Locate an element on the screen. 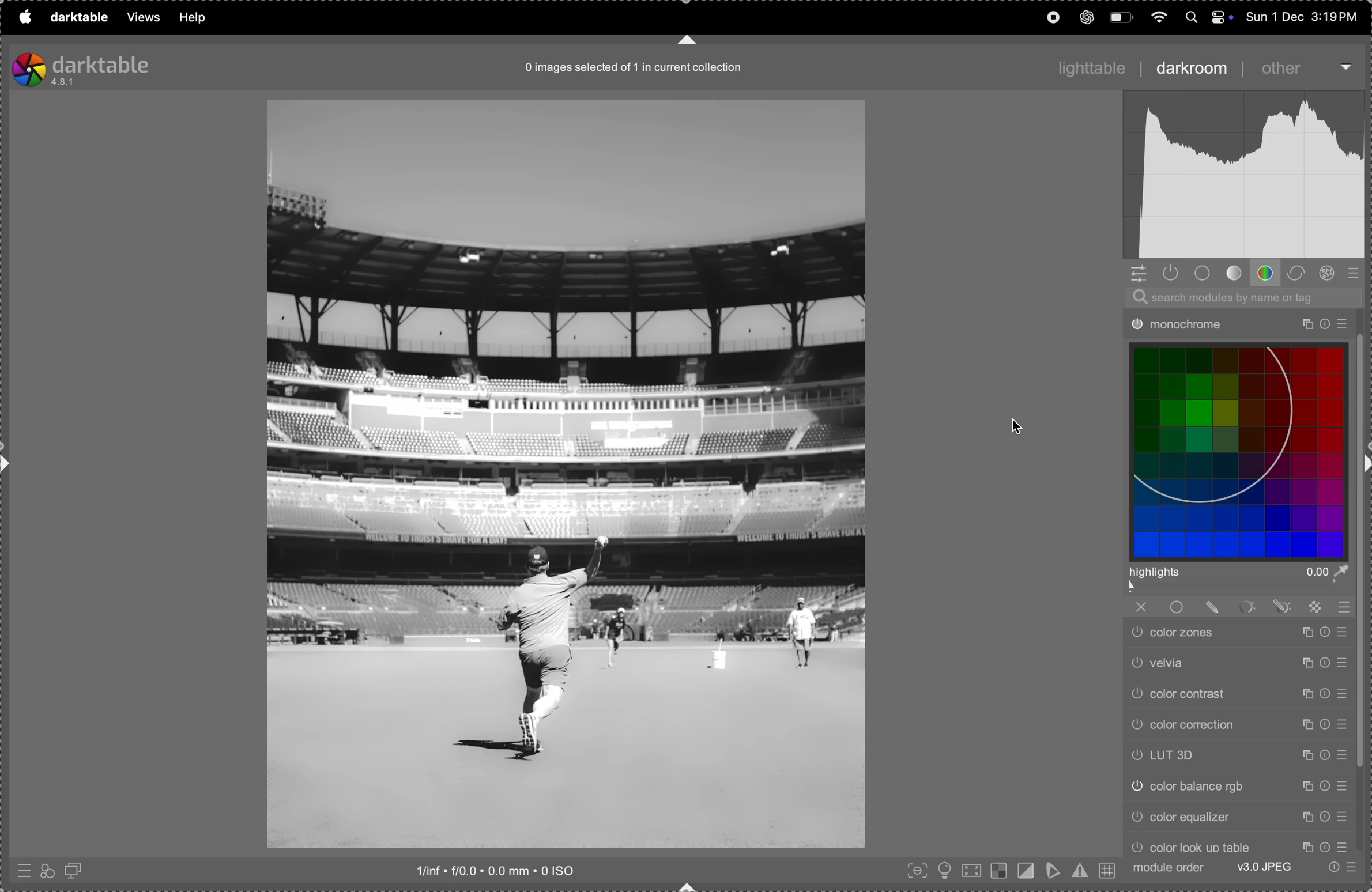 The image size is (1372, 892). darkroom is located at coordinates (1190, 67).